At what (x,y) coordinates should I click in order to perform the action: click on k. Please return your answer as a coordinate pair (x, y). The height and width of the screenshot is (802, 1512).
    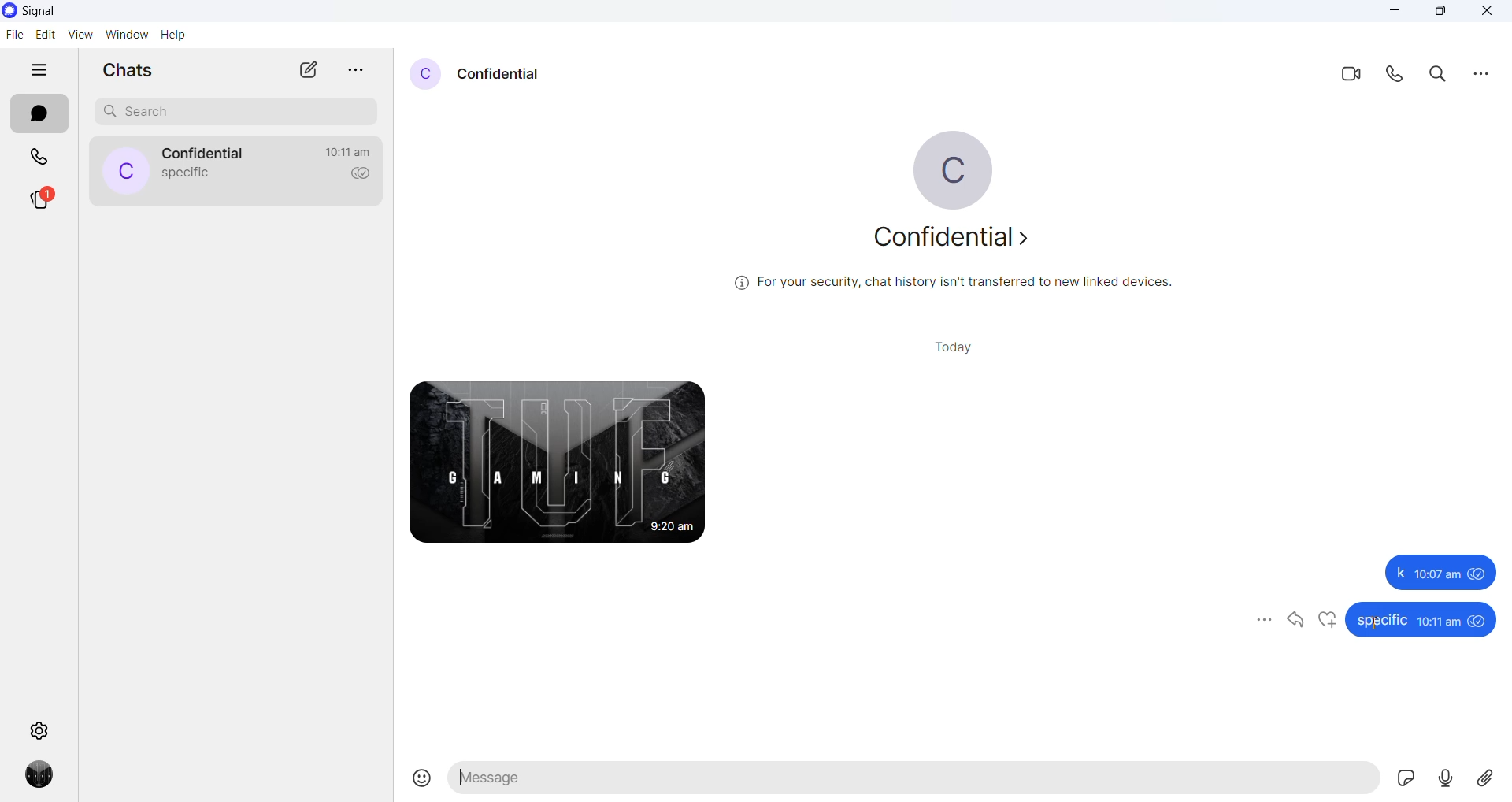
    Looking at the image, I should click on (1397, 572).